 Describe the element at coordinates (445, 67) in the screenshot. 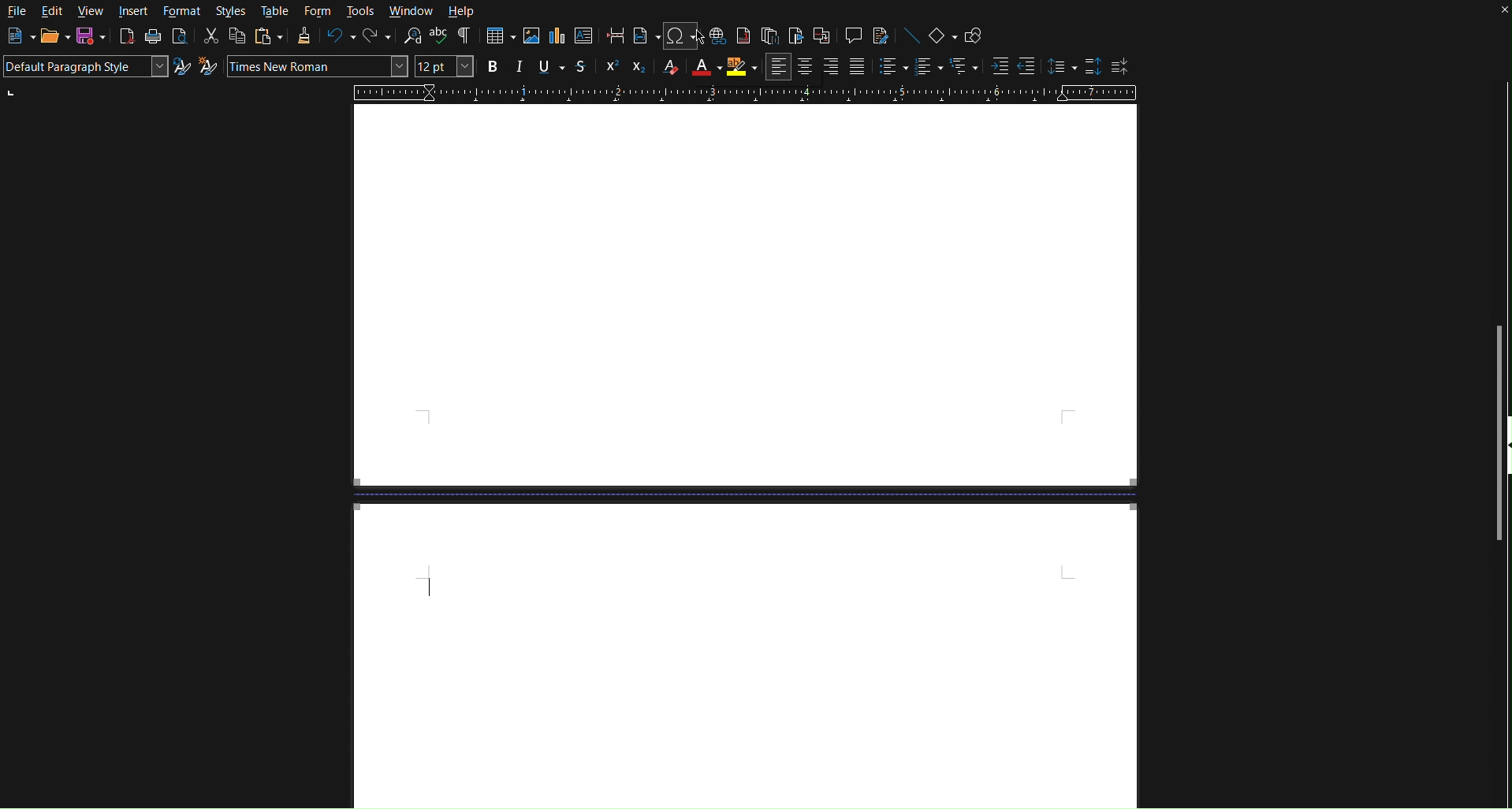

I see `Font Size - 12pt` at that location.